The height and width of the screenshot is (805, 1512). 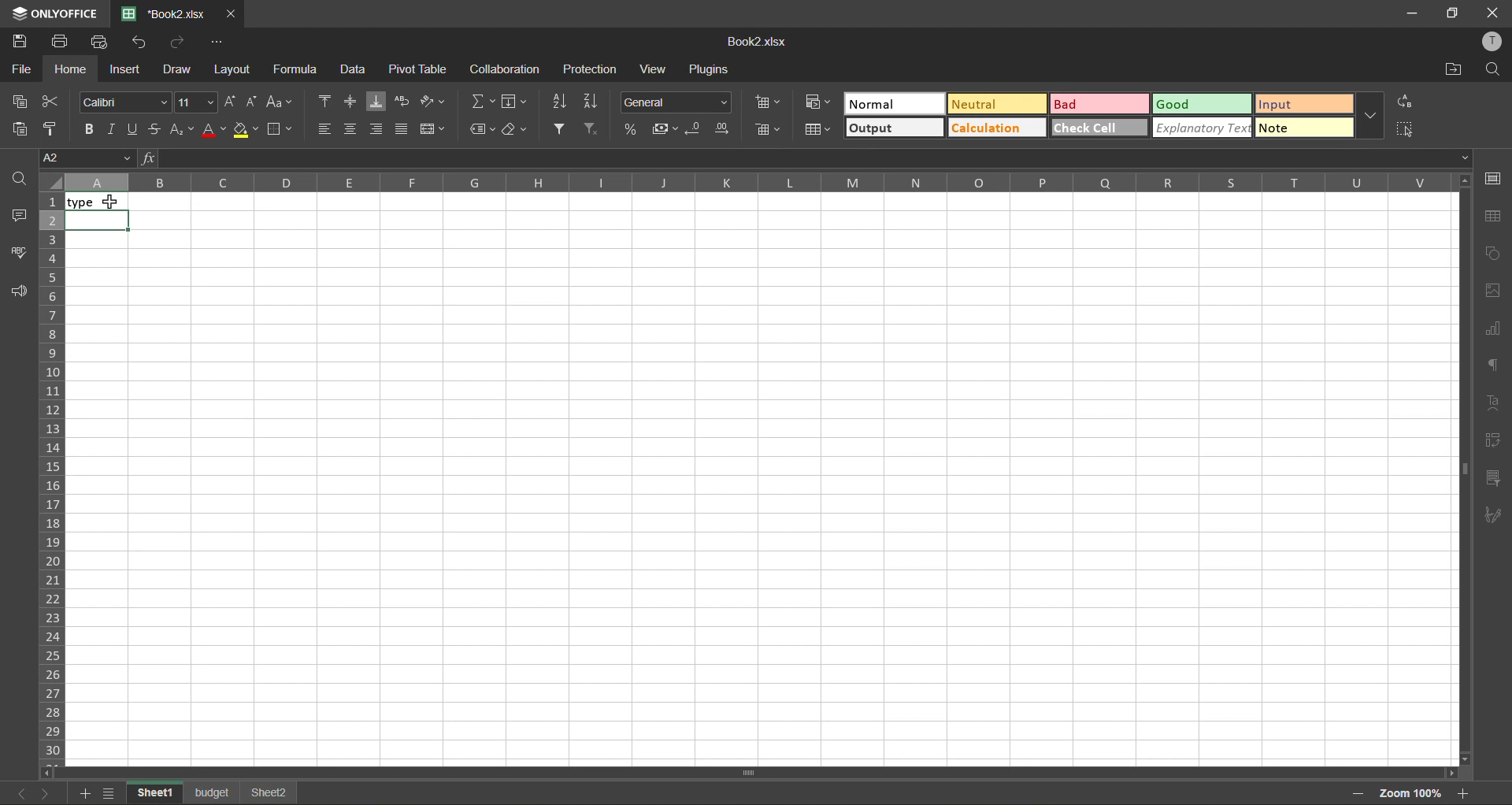 I want to click on layout, so click(x=234, y=72).